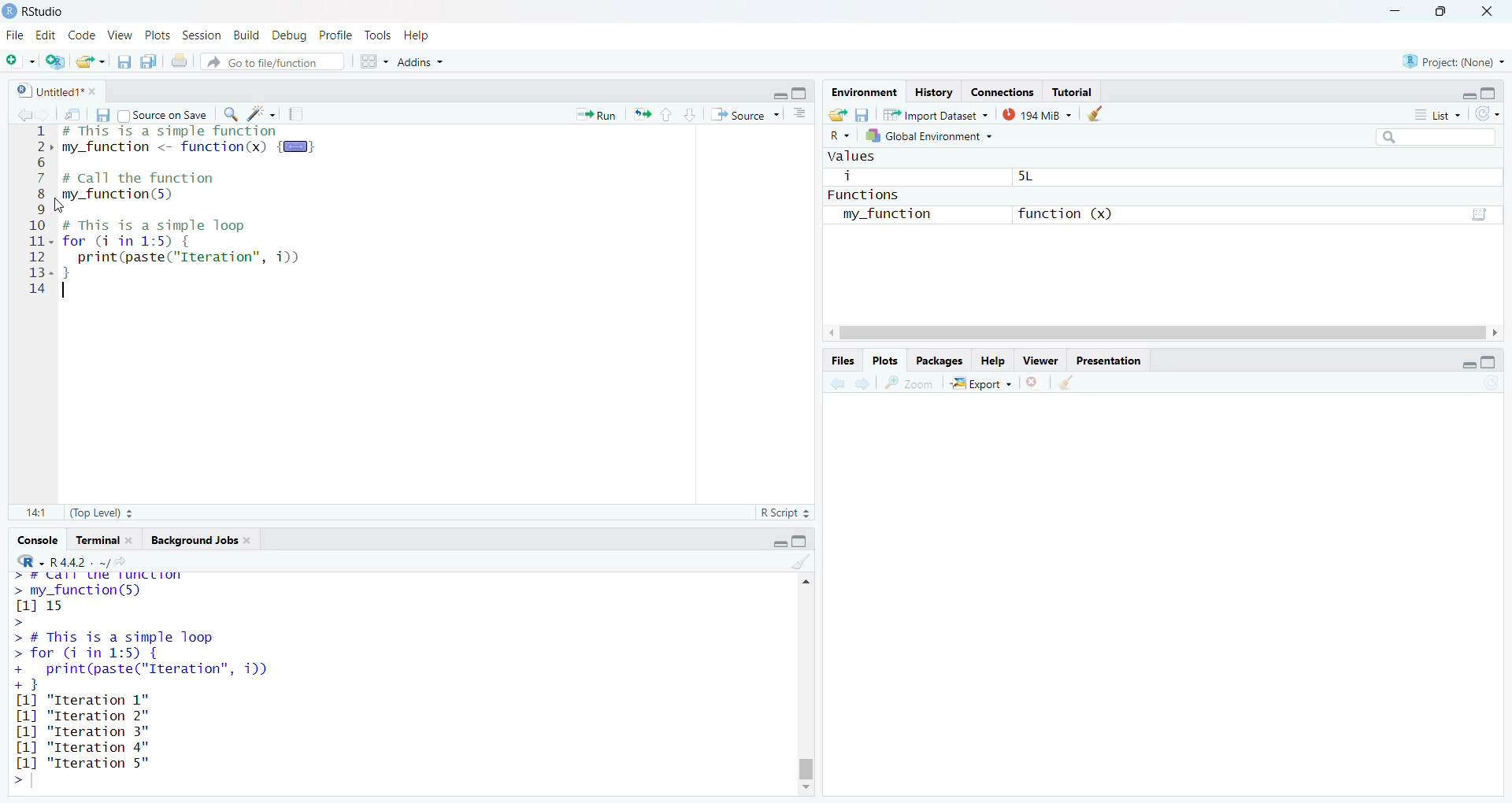 This screenshot has height=803, width=1512. What do you see at coordinates (841, 362) in the screenshot?
I see `files` at bounding box center [841, 362].